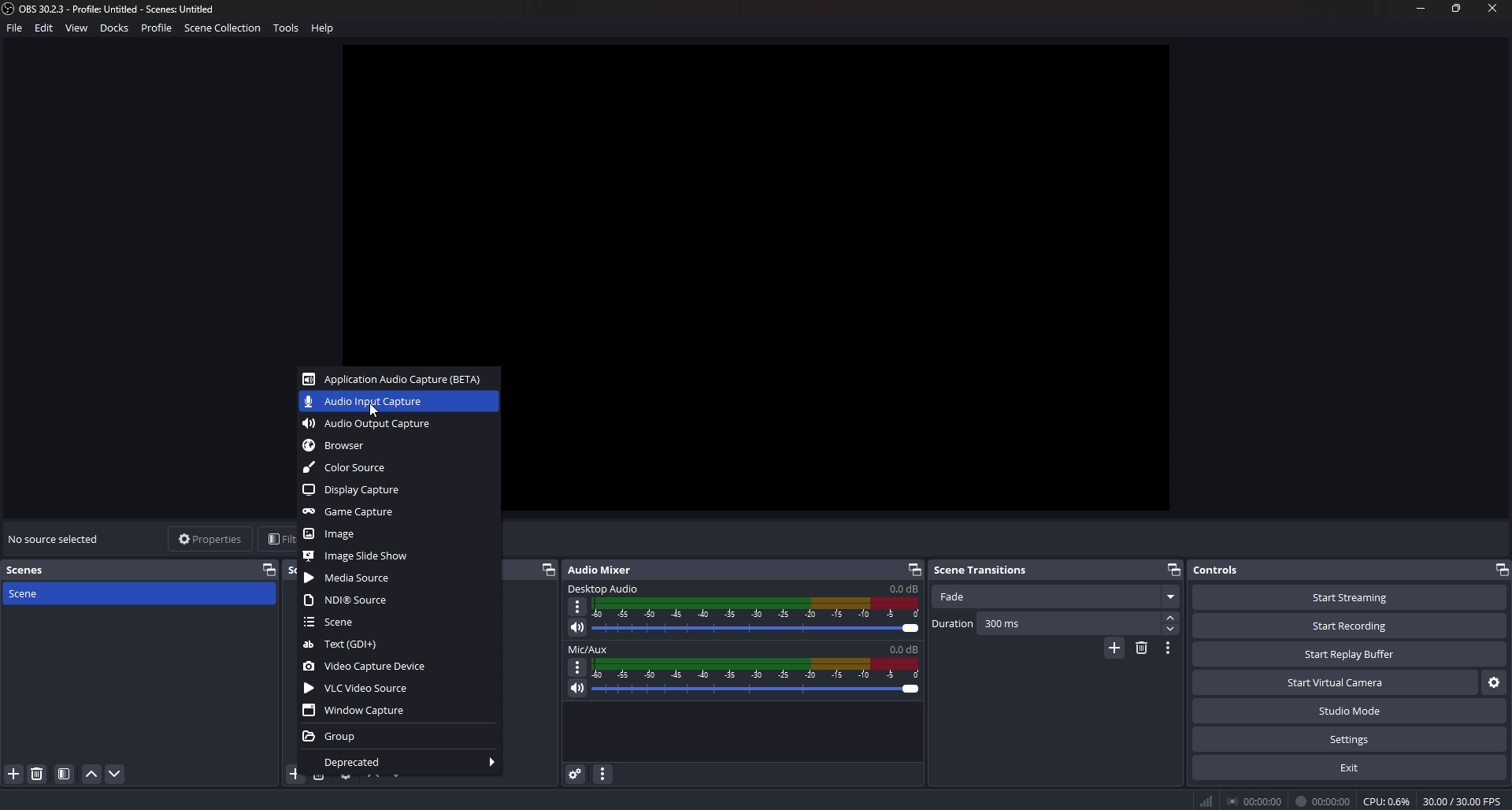 Image resolution: width=1512 pixels, height=810 pixels. Describe the element at coordinates (212, 539) in the screenshot. I see `properties` at that location.